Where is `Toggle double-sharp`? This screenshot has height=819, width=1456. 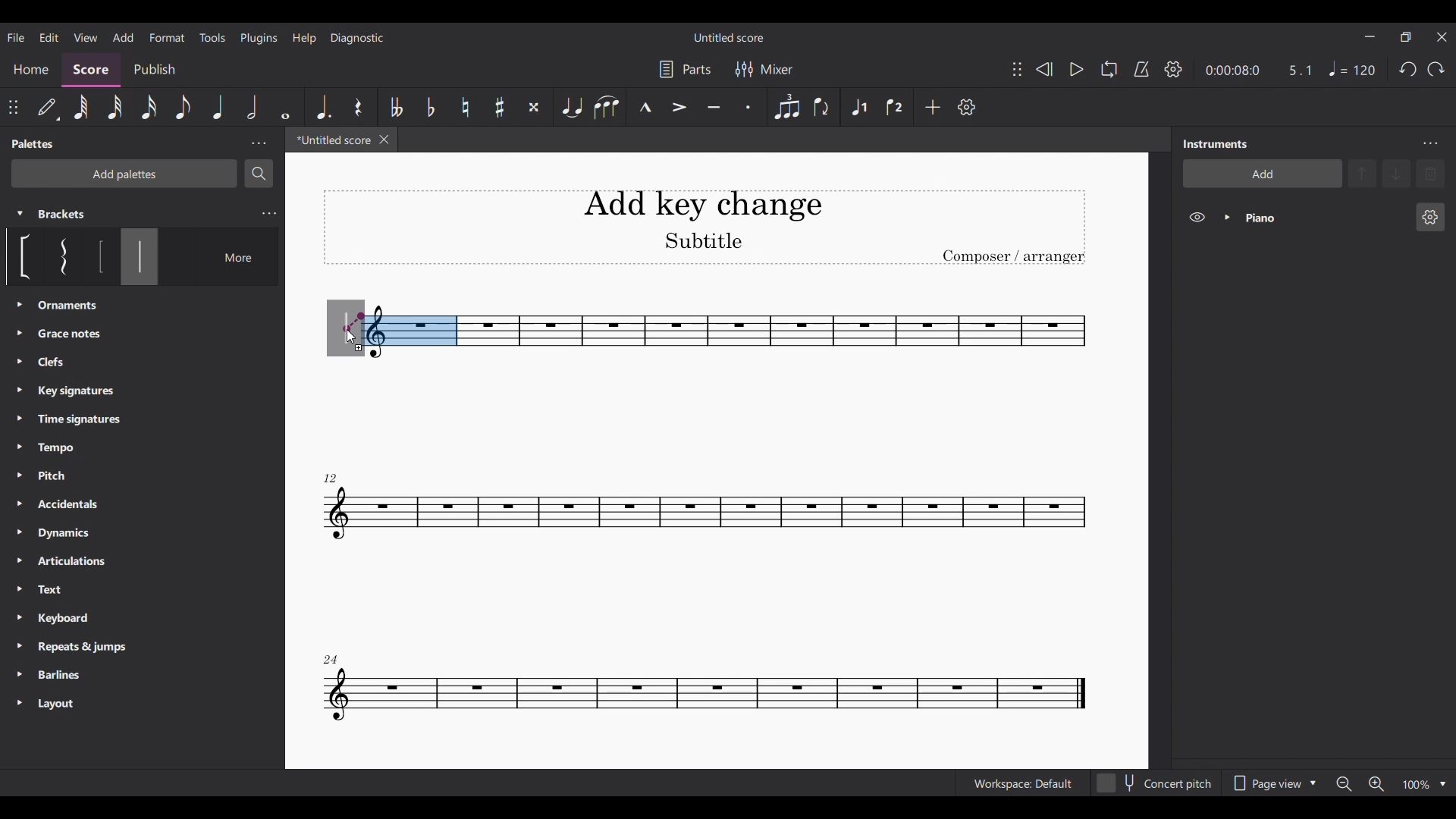 Toggle double-sharp is located at coordinates (534, 108).